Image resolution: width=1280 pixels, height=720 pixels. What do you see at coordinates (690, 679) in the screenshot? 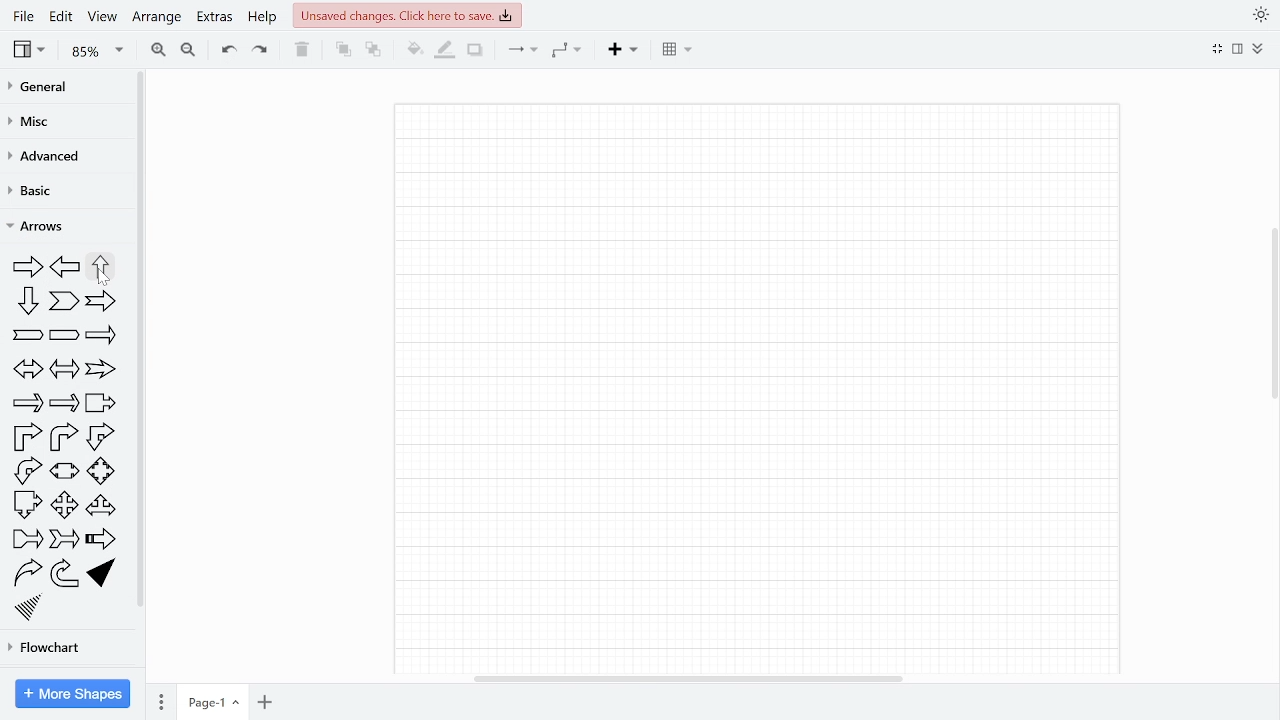
I see `Horizontal scrollbar` at bounding box center [690, 679].